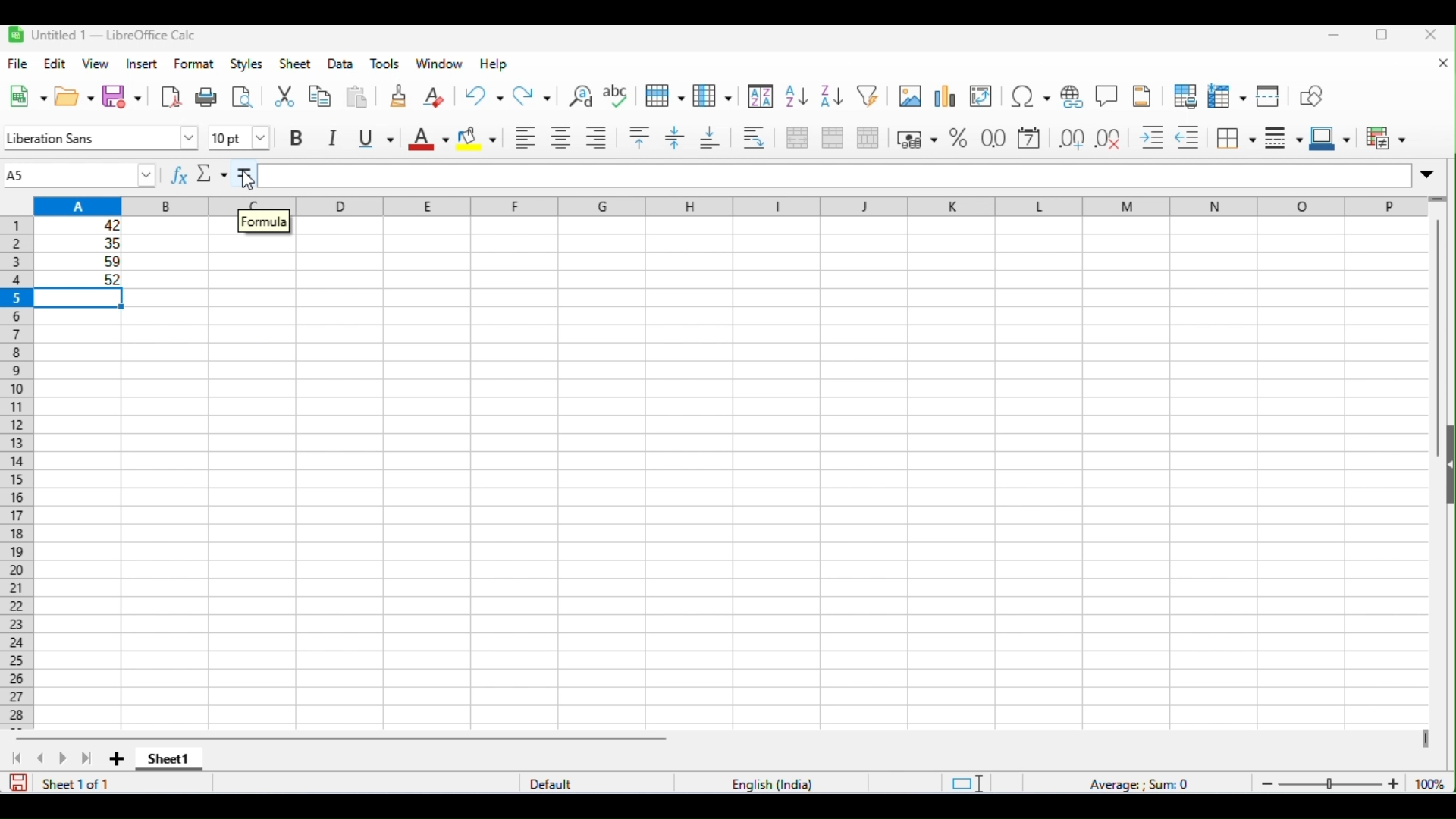 This screenshot has width=1456, height=819. I want to click on merge and center, so click(795, 137).